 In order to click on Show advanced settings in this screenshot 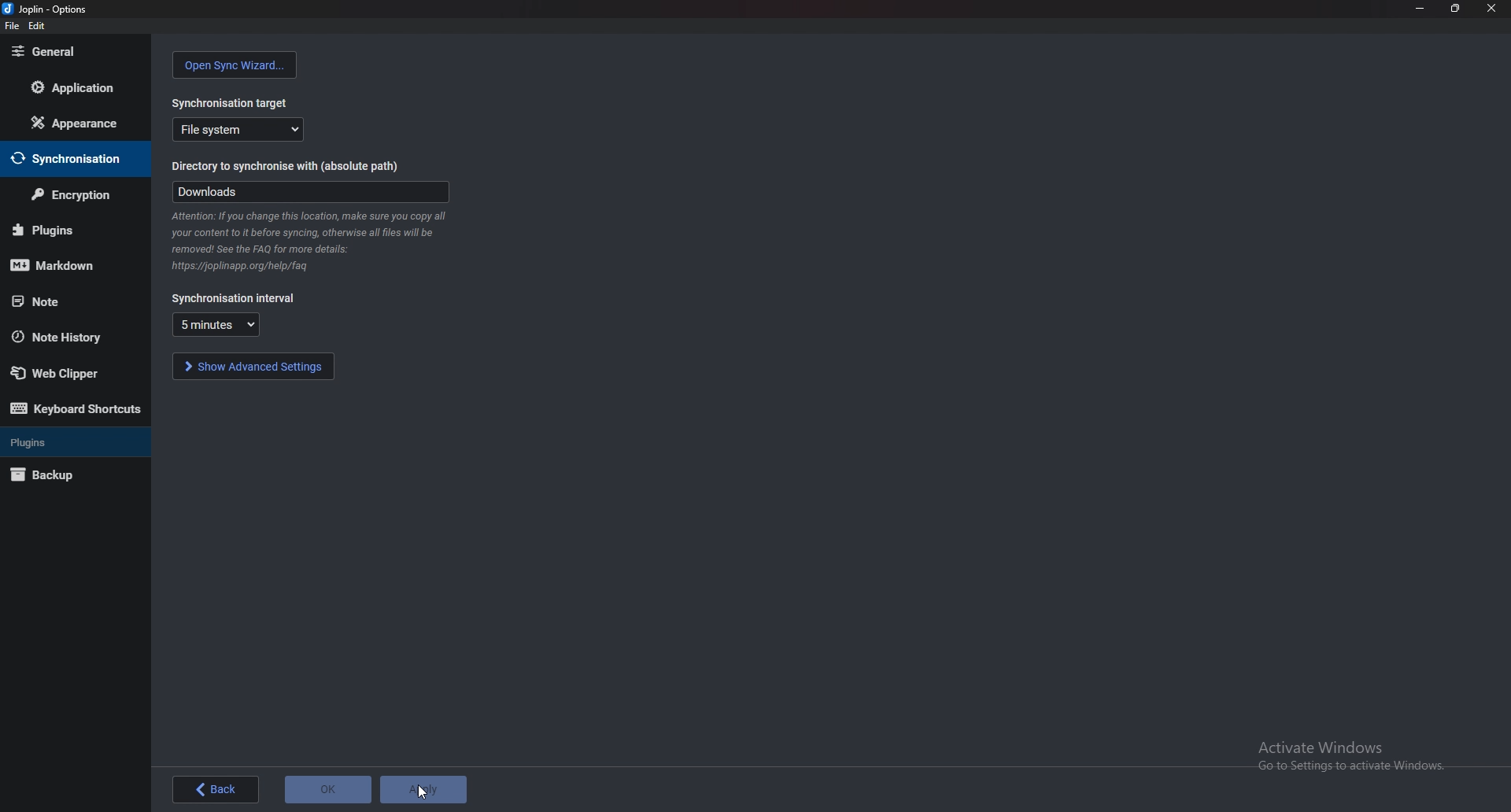, I will do `click(253, 366)`.